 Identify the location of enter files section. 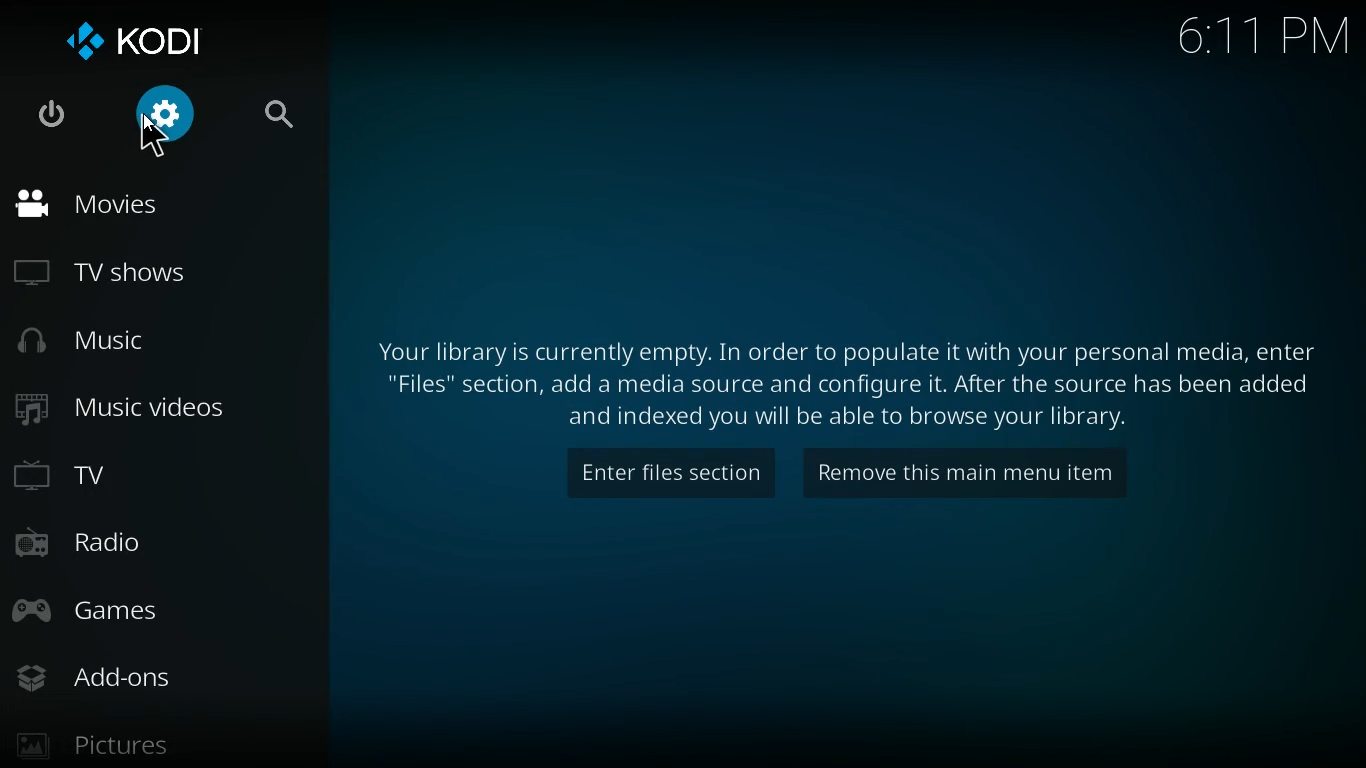
(657, 476).